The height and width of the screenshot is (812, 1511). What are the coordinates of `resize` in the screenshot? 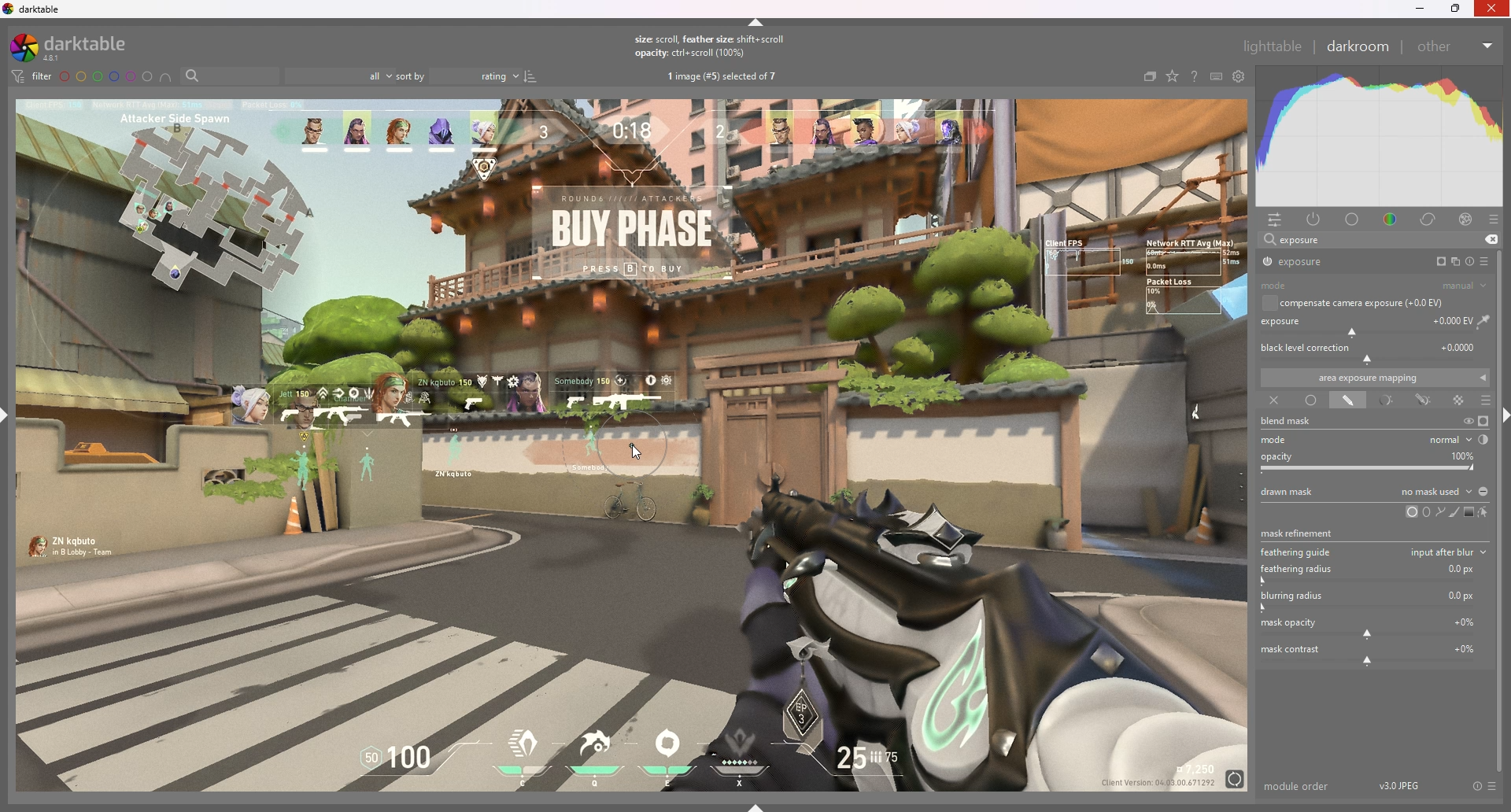 It's located at (1456, 9).